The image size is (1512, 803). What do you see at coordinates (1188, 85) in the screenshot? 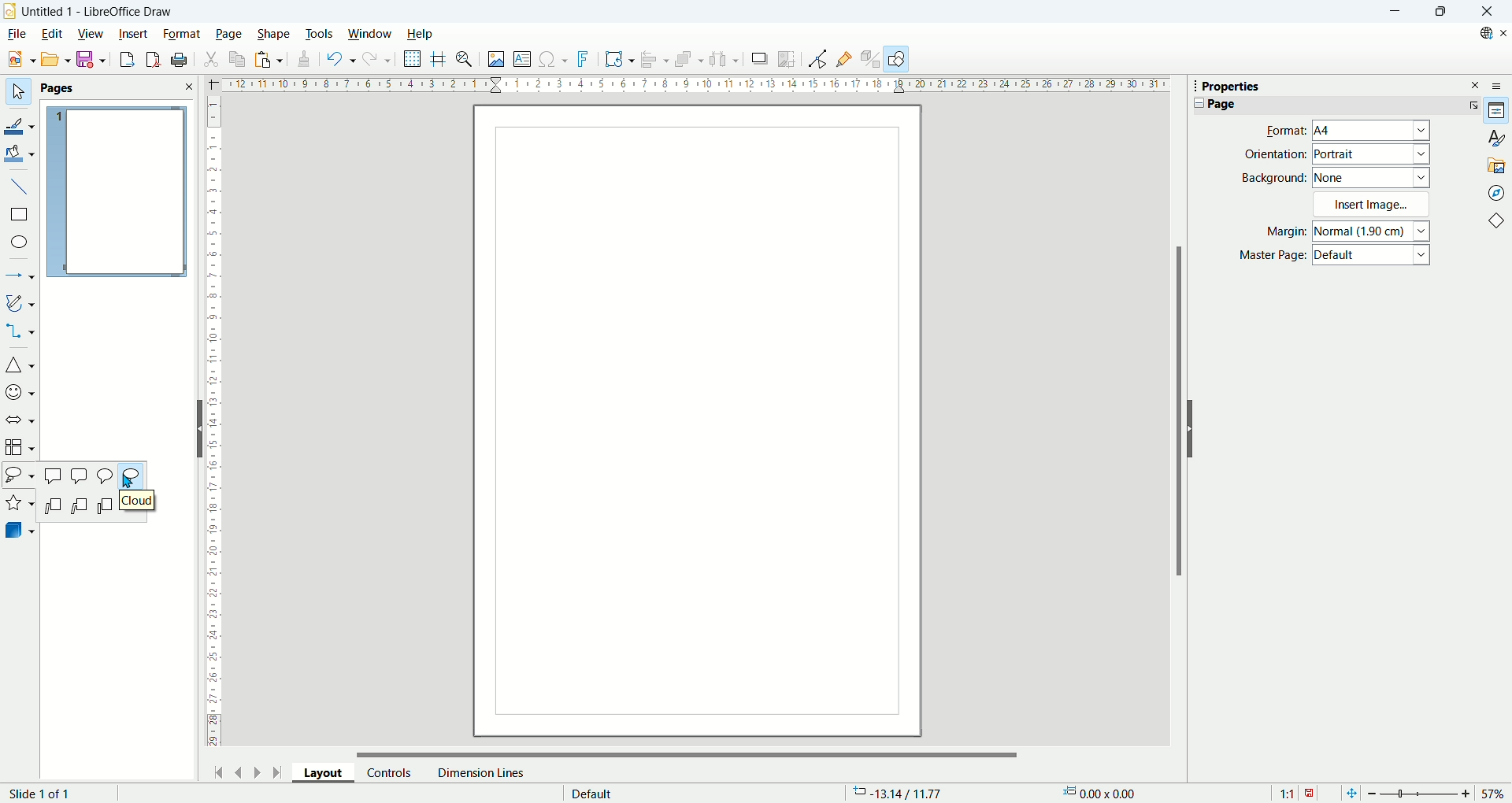
I see `Tooltip drag` at bounding box center [1188, 85].